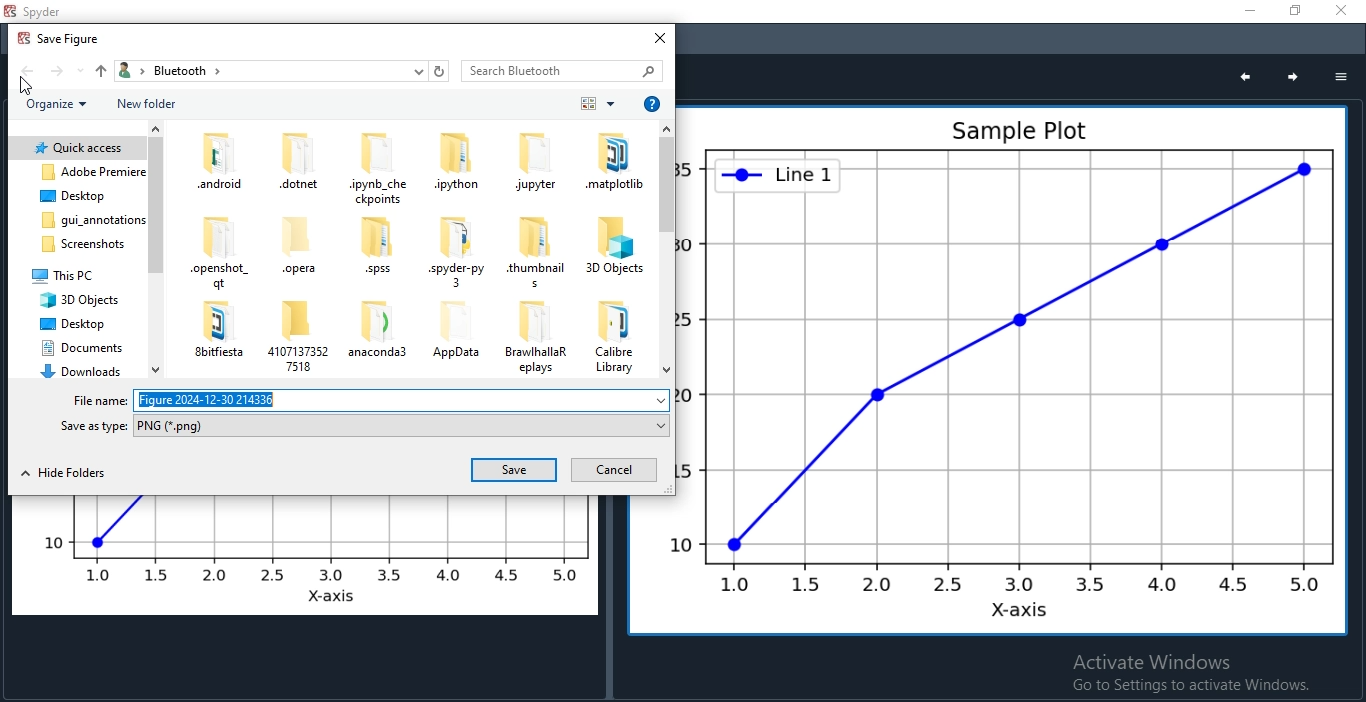  What do you see at coordinates (25, 71) in the screenshot?
I see `back folder` at bounding box center [25, 71].